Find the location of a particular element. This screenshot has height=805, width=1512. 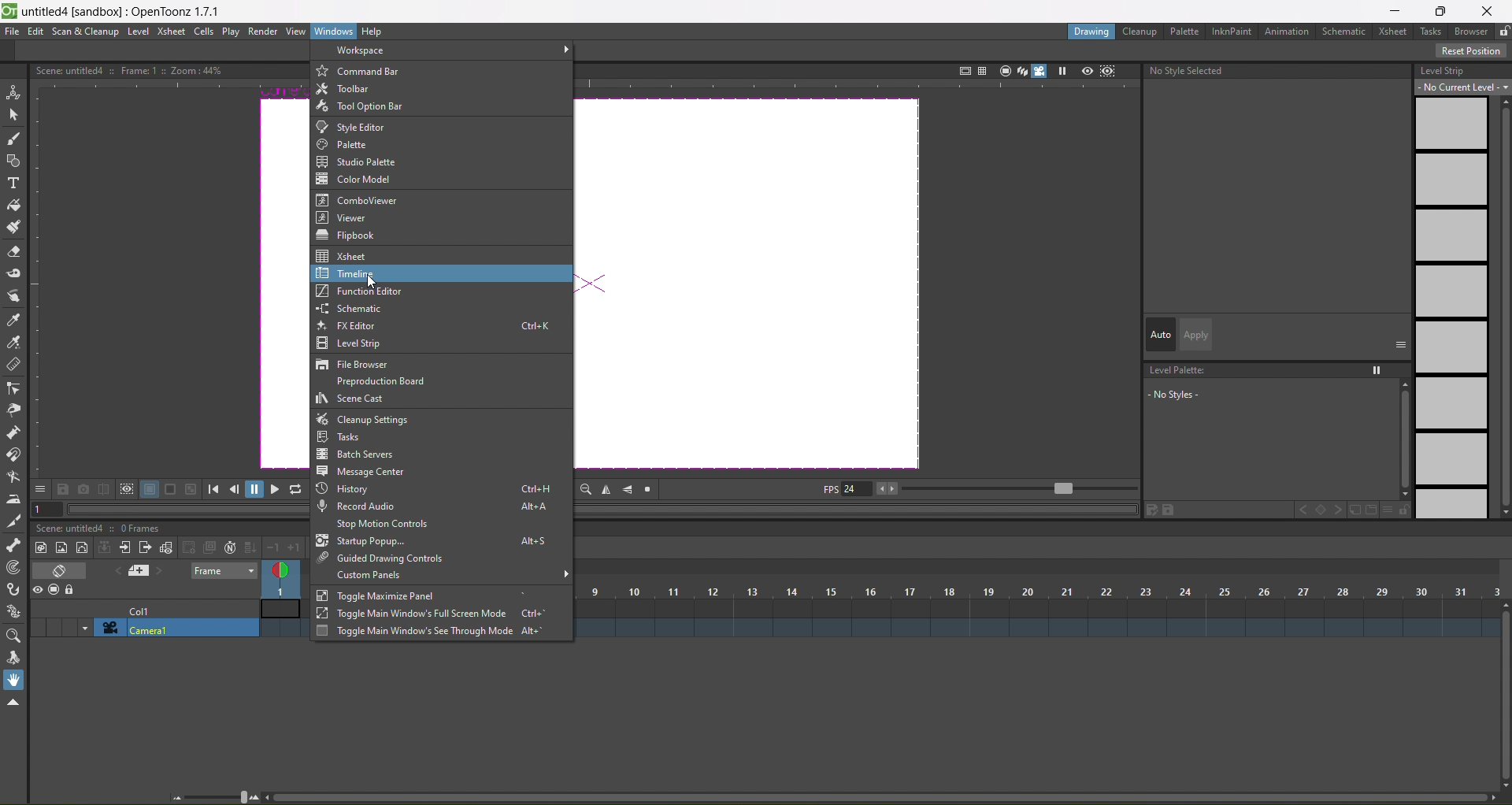

toggle main window see through mode is located at coordinates (425, 632).